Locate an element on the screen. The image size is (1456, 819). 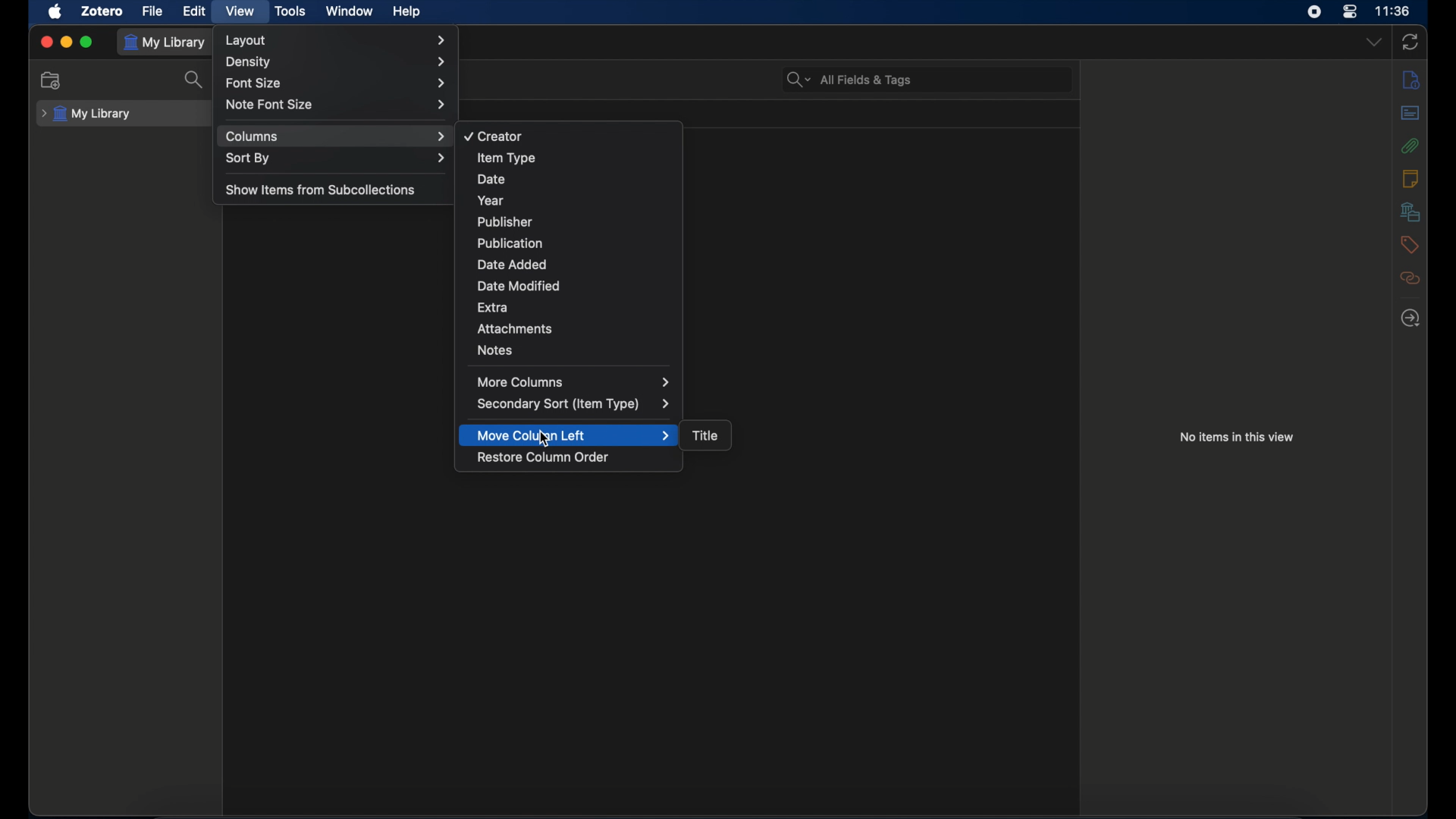
sync is located at coordinates (1409, 42).